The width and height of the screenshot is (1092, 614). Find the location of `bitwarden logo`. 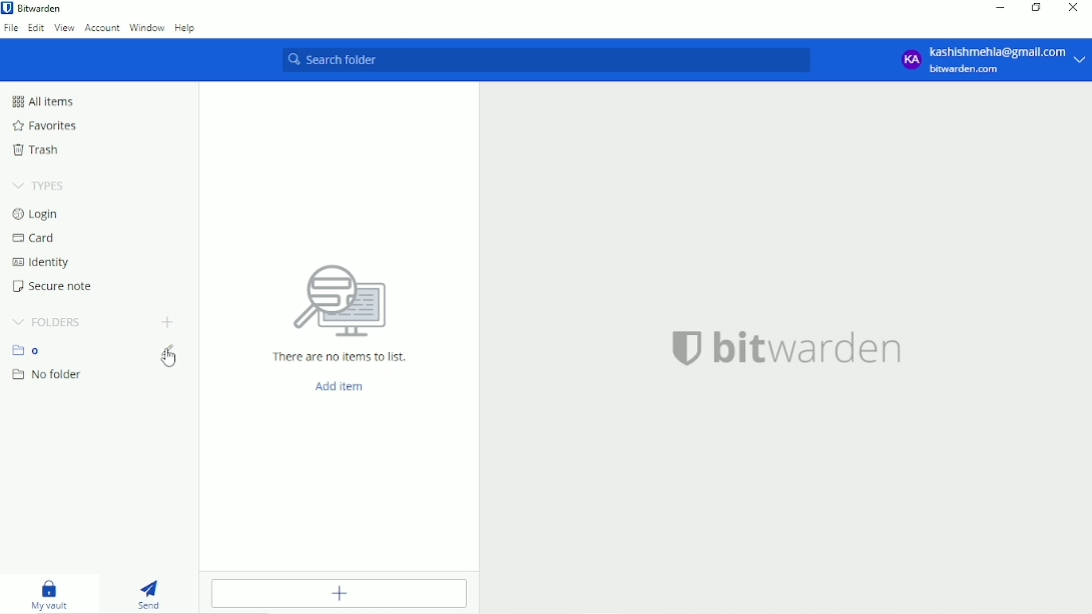

bitwarden logo is located at coordinates (684, 347).